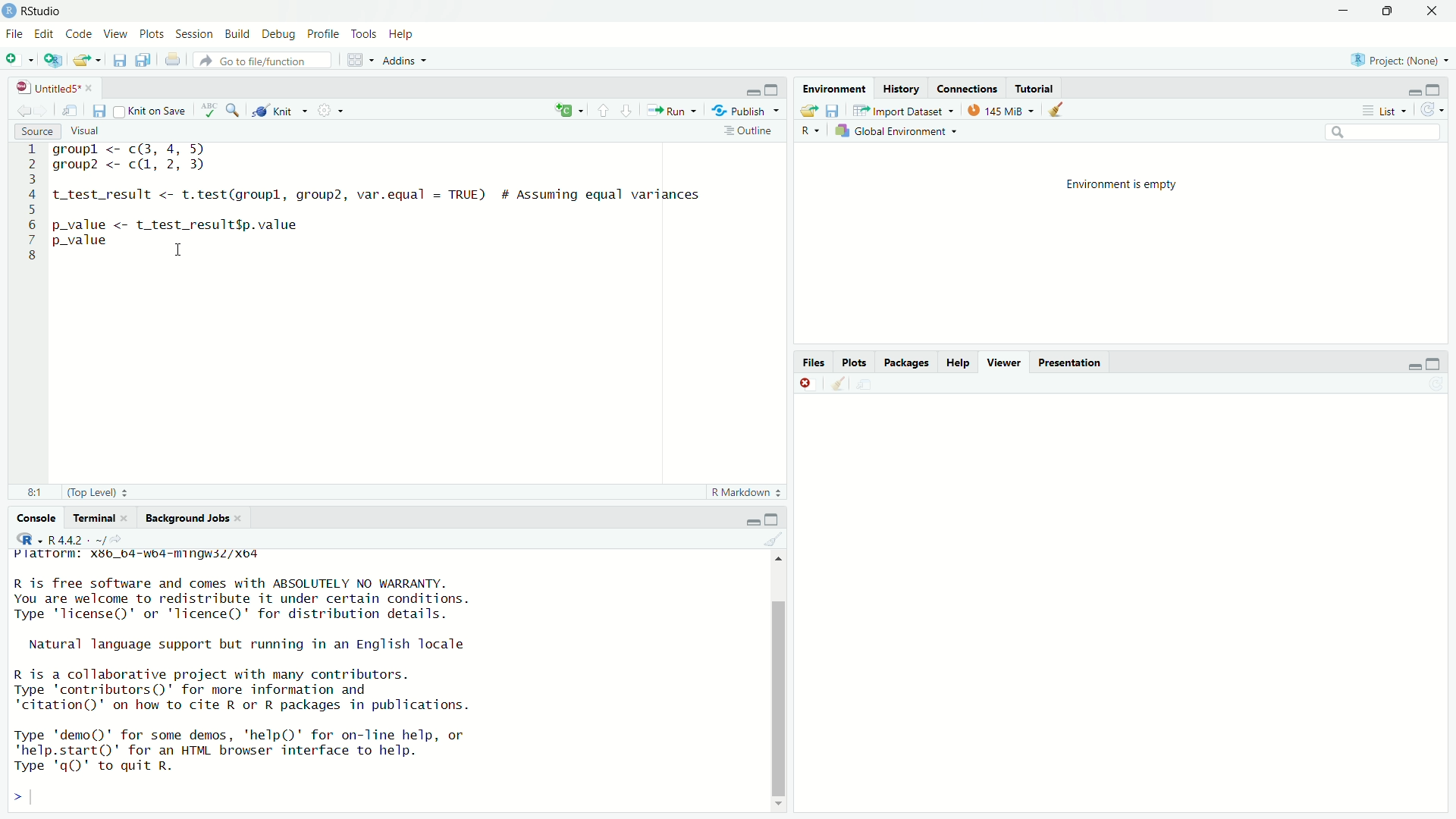  What do you see at coordinates (400, 61) in the screenshot?
I see `Addins ` at bounding box center [400, 61].